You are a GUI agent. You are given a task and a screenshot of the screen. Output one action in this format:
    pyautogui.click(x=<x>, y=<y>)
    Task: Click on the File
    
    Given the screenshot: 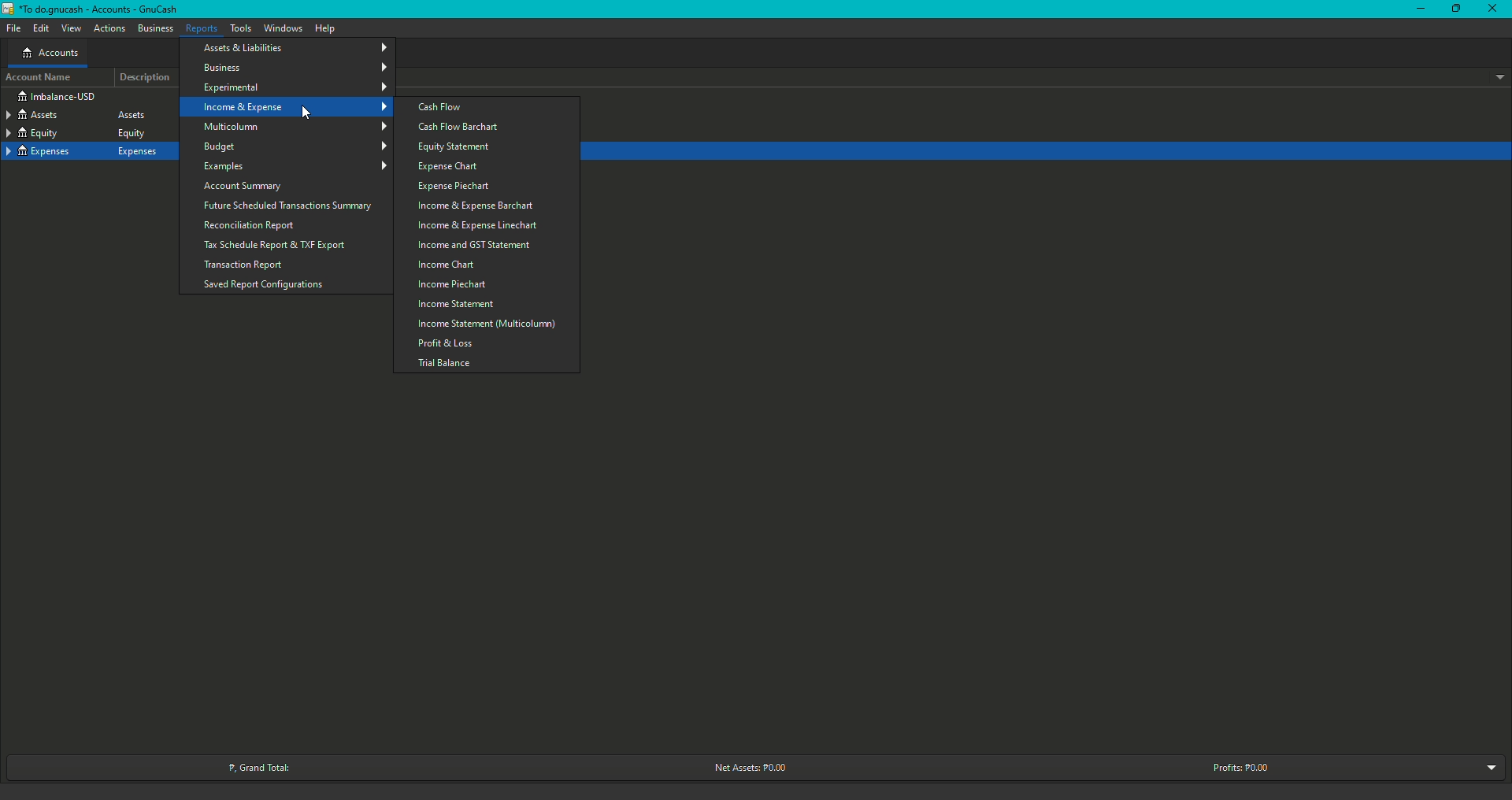 What is the action you would take?
    pyautogui.click(x=14, y=28)
    